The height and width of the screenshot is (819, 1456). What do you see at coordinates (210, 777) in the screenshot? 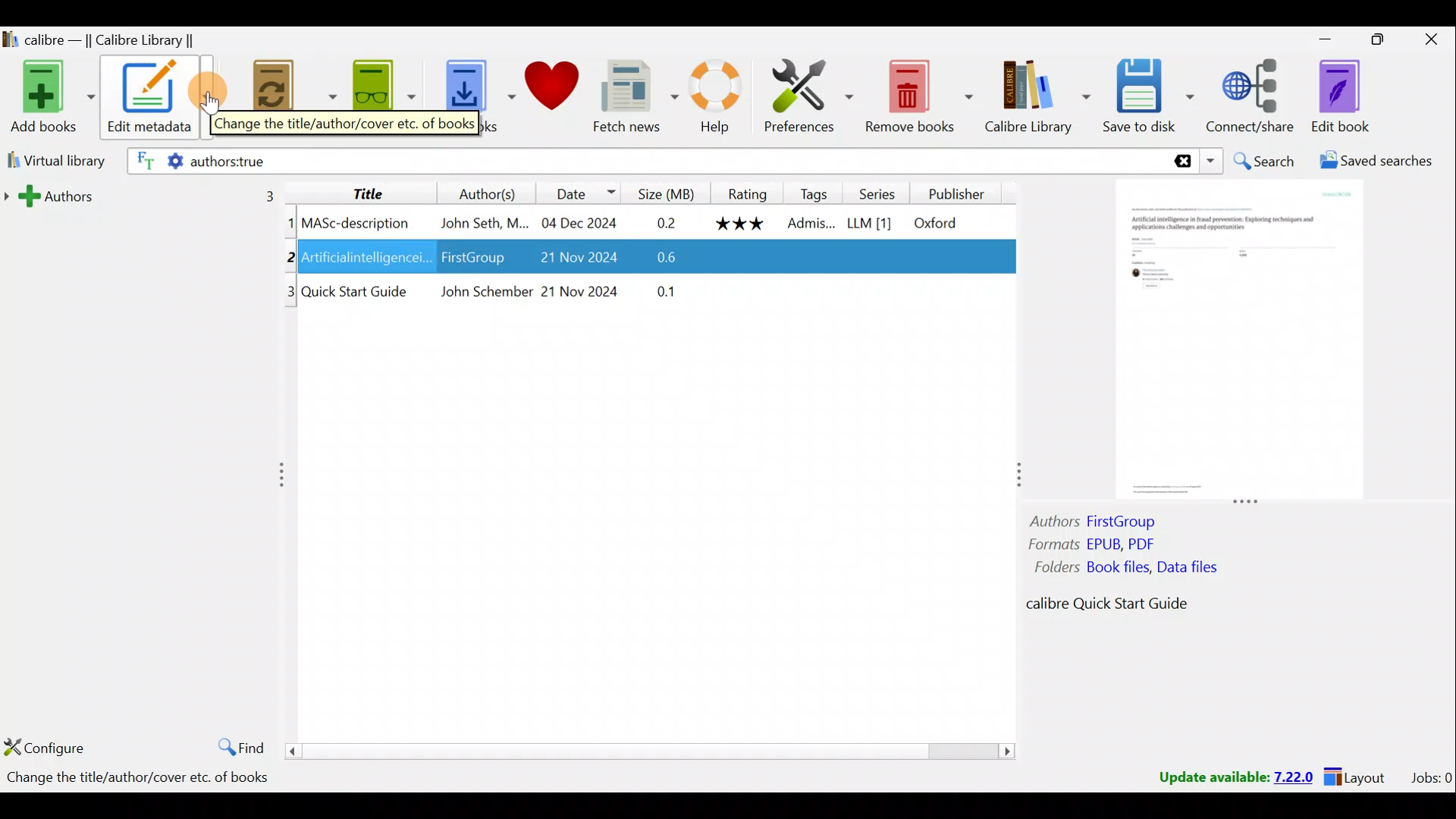
I see `Statistics` at bounding box center [210, 777].